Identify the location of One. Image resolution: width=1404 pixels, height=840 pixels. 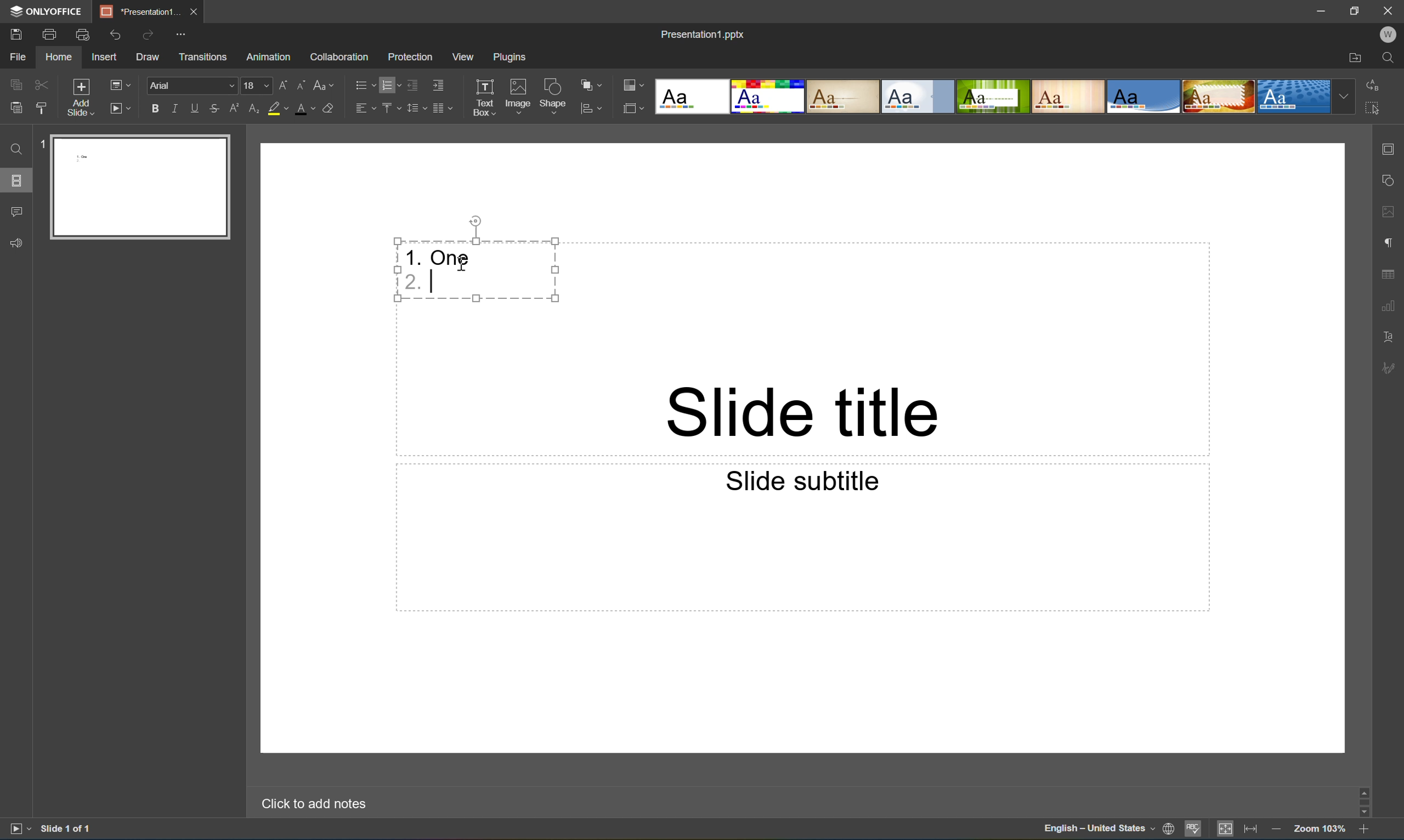
(451, 258).